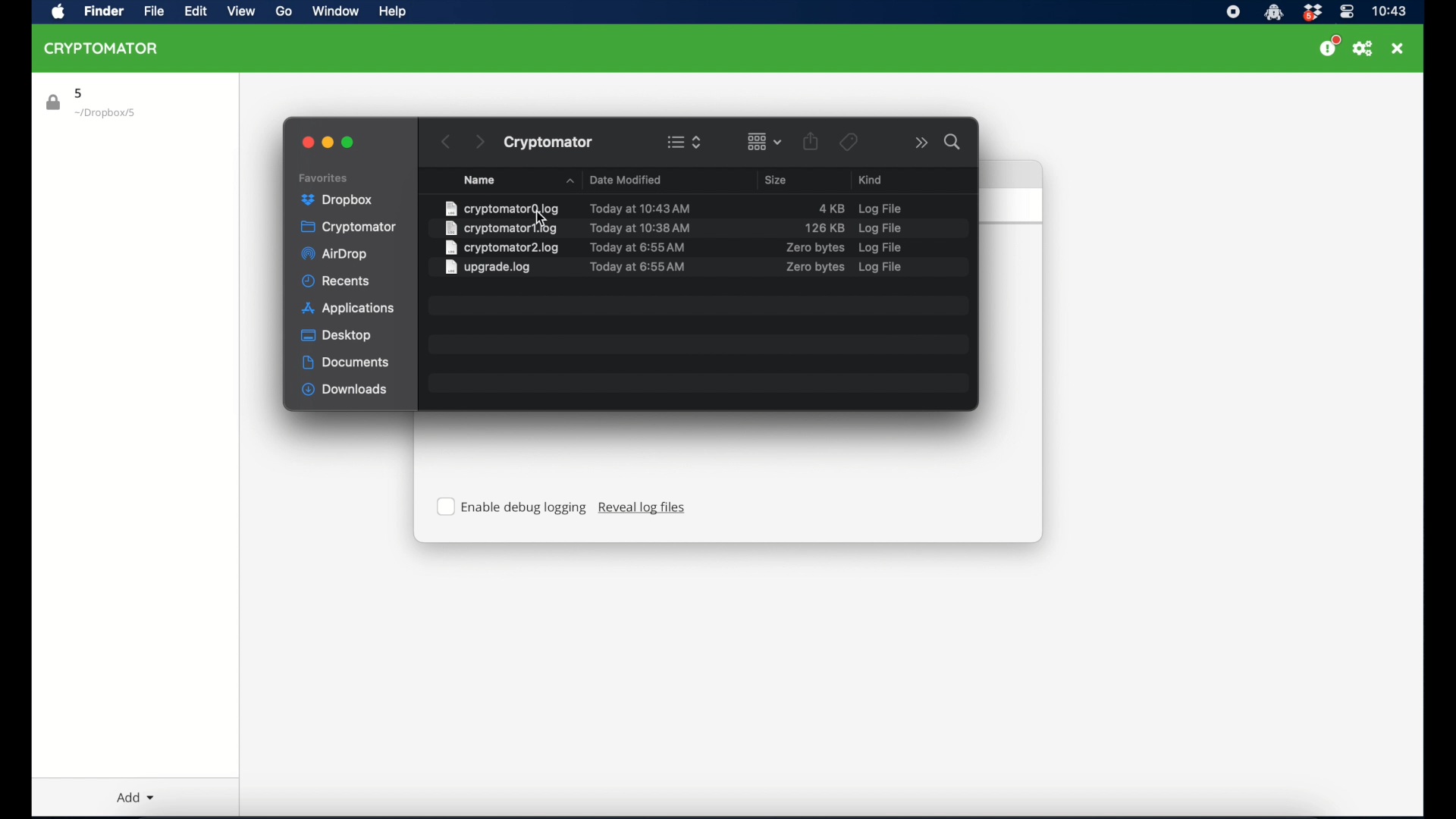 Image resolution: width=1456 pixels, height=819 pixels. I want to click on airdrop, so click(334, 253).